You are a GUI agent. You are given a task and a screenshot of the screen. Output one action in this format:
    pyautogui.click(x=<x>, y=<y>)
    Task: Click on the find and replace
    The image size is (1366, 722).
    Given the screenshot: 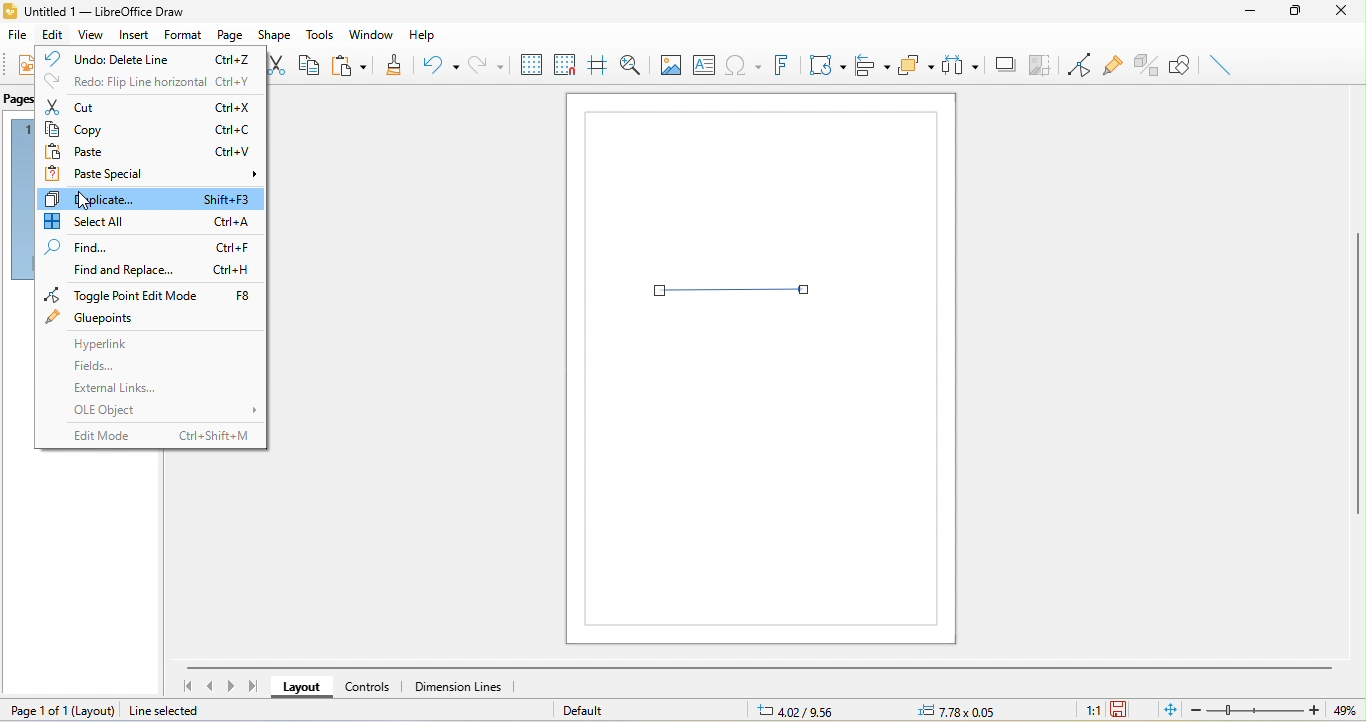 What is the action you would take?
    pyautogui.click(x=156, y=273)
    